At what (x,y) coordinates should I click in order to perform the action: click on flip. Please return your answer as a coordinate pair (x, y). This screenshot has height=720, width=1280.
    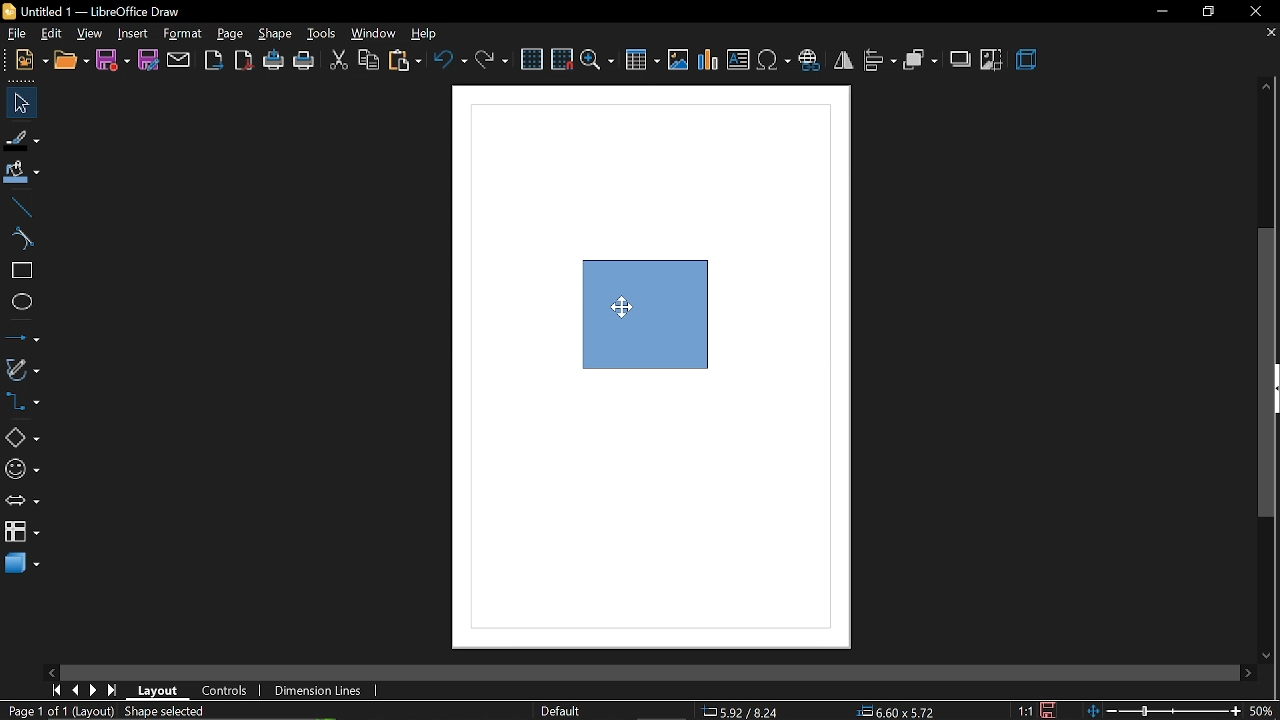
    Looking at the image, I should click on (845, 63).